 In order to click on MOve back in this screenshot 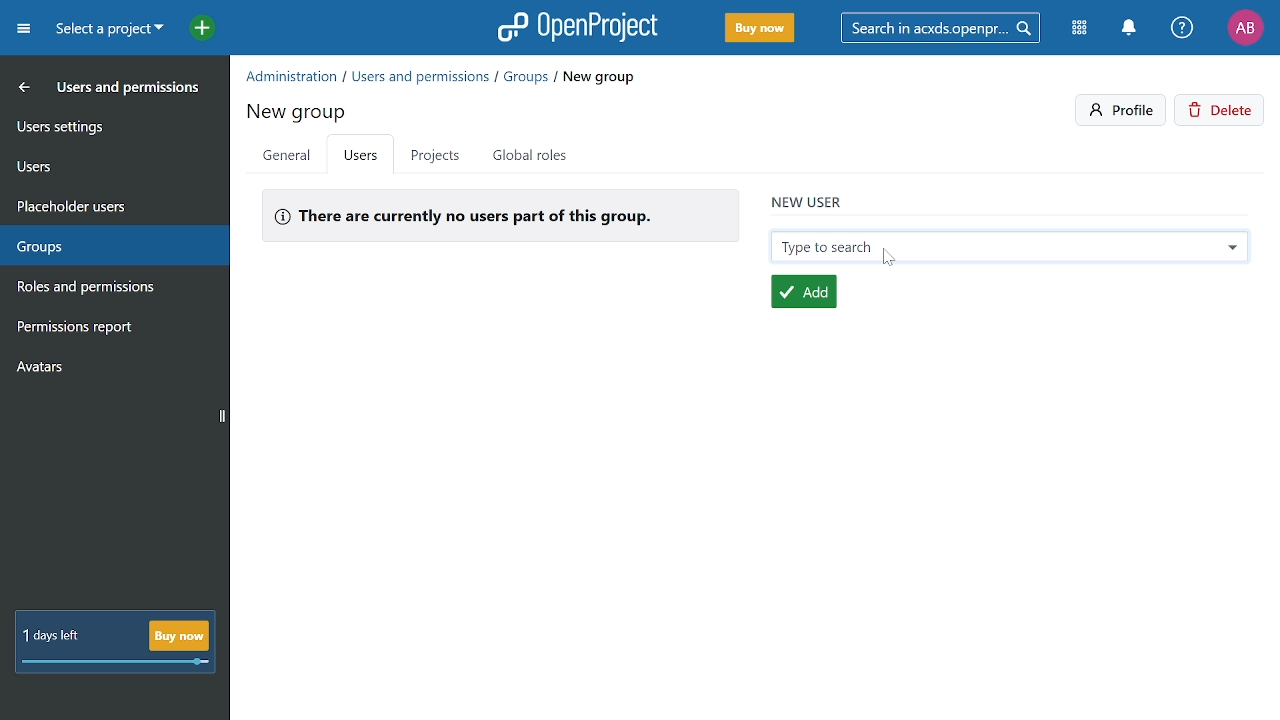, I will do `click(20, 86)`.